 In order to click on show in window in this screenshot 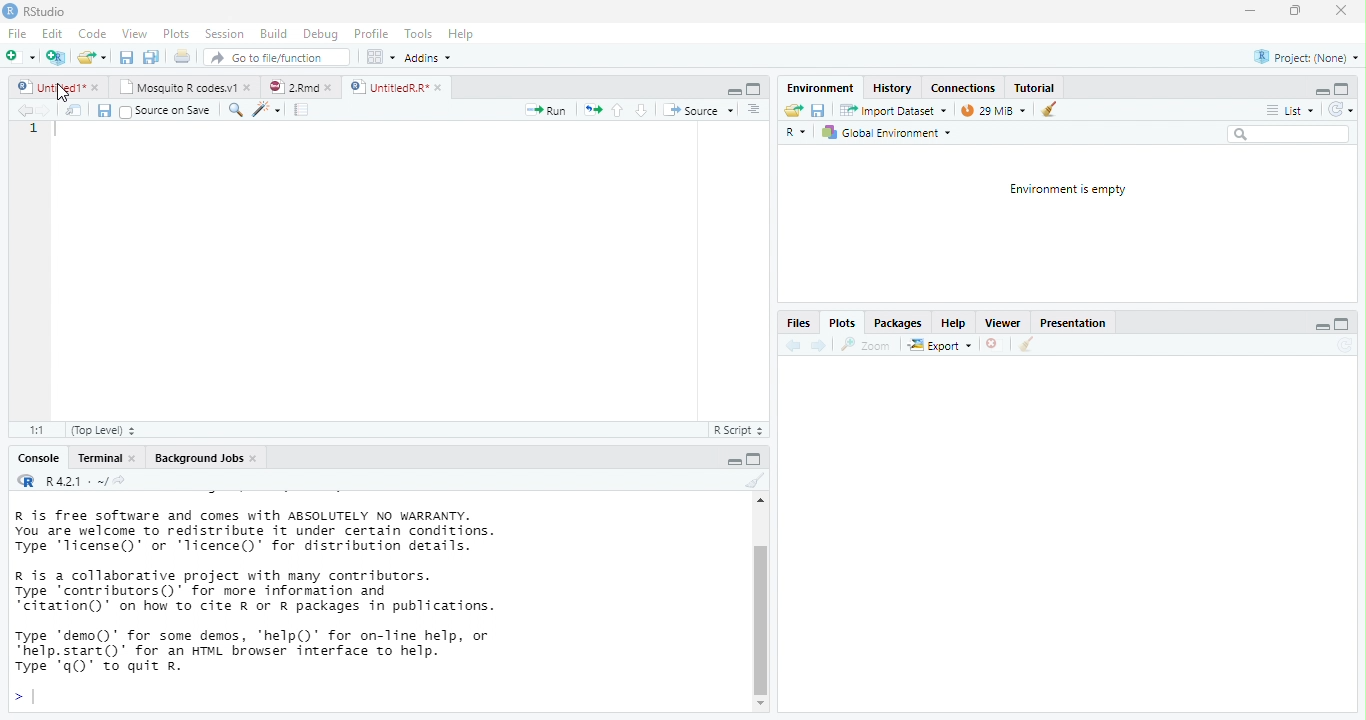, I will do `click(75, 110)`.